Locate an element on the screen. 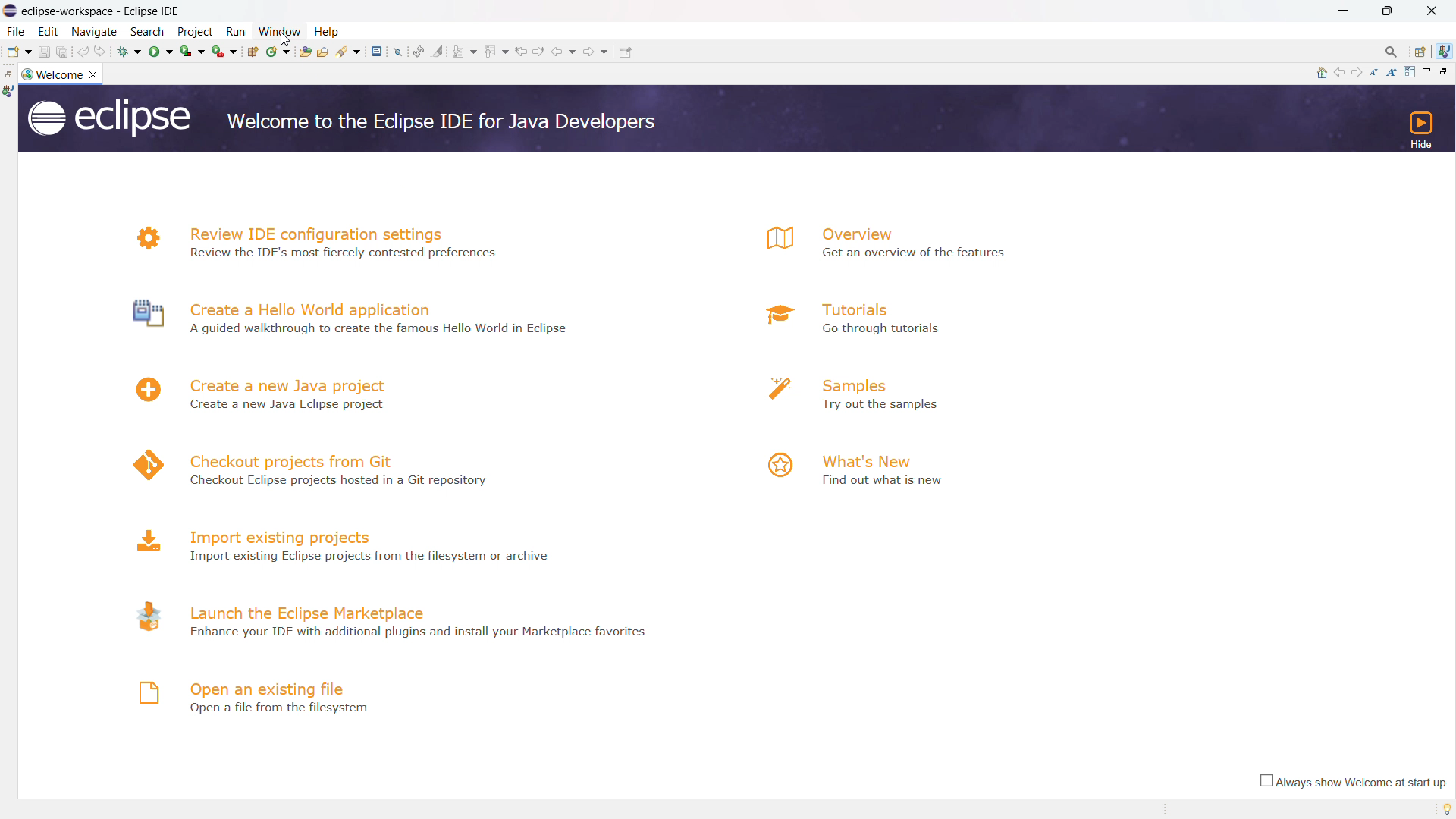 The height and width of the screenshot is (819, 1456). run last tool is located at coordinates (224, 51).